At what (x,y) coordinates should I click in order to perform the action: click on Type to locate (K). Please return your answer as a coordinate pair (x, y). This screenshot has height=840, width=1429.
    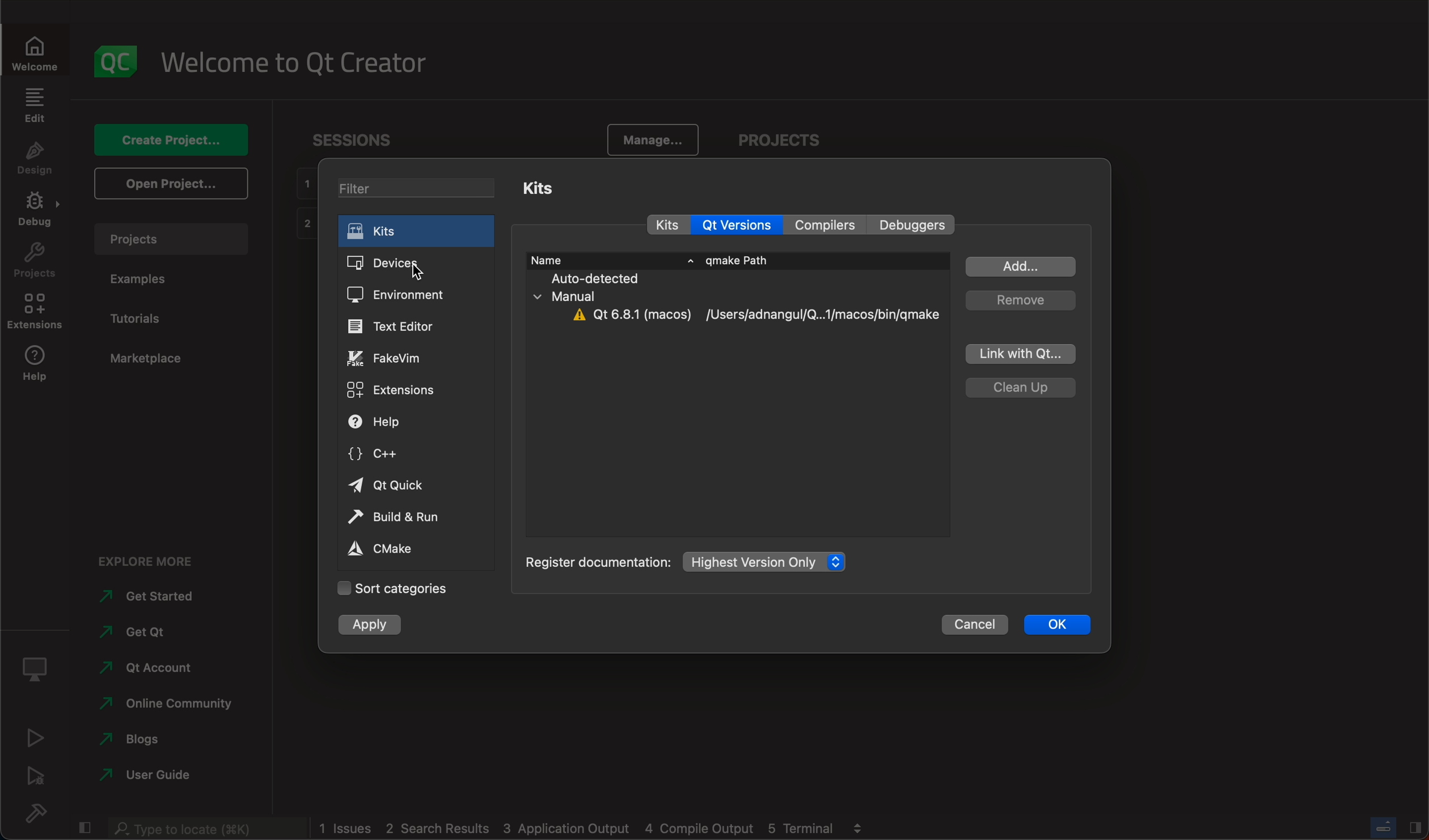
    Looking at the image, I should click on (209, 829).